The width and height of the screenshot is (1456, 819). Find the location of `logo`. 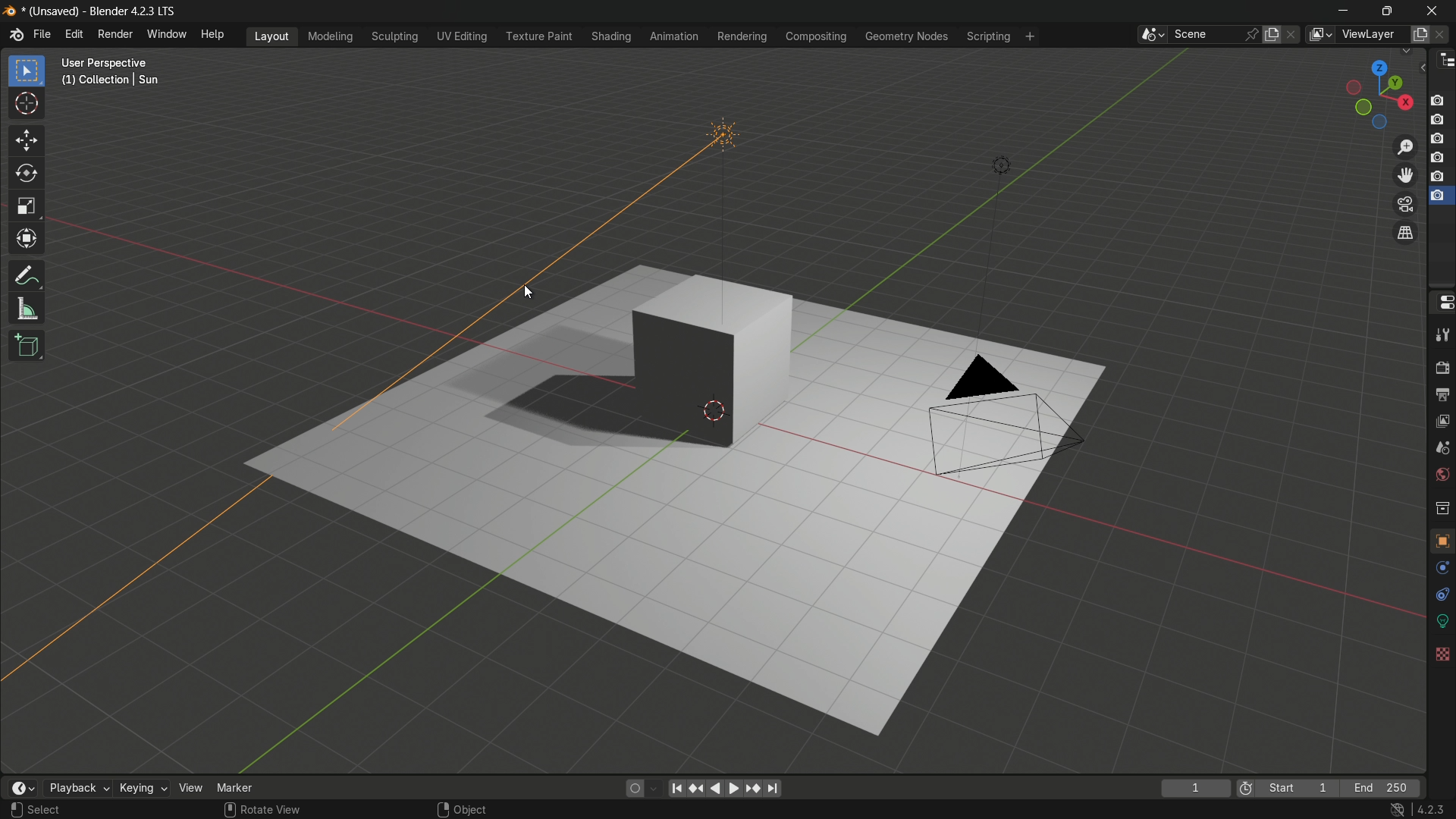

logo is located at coordinates (9, 11).